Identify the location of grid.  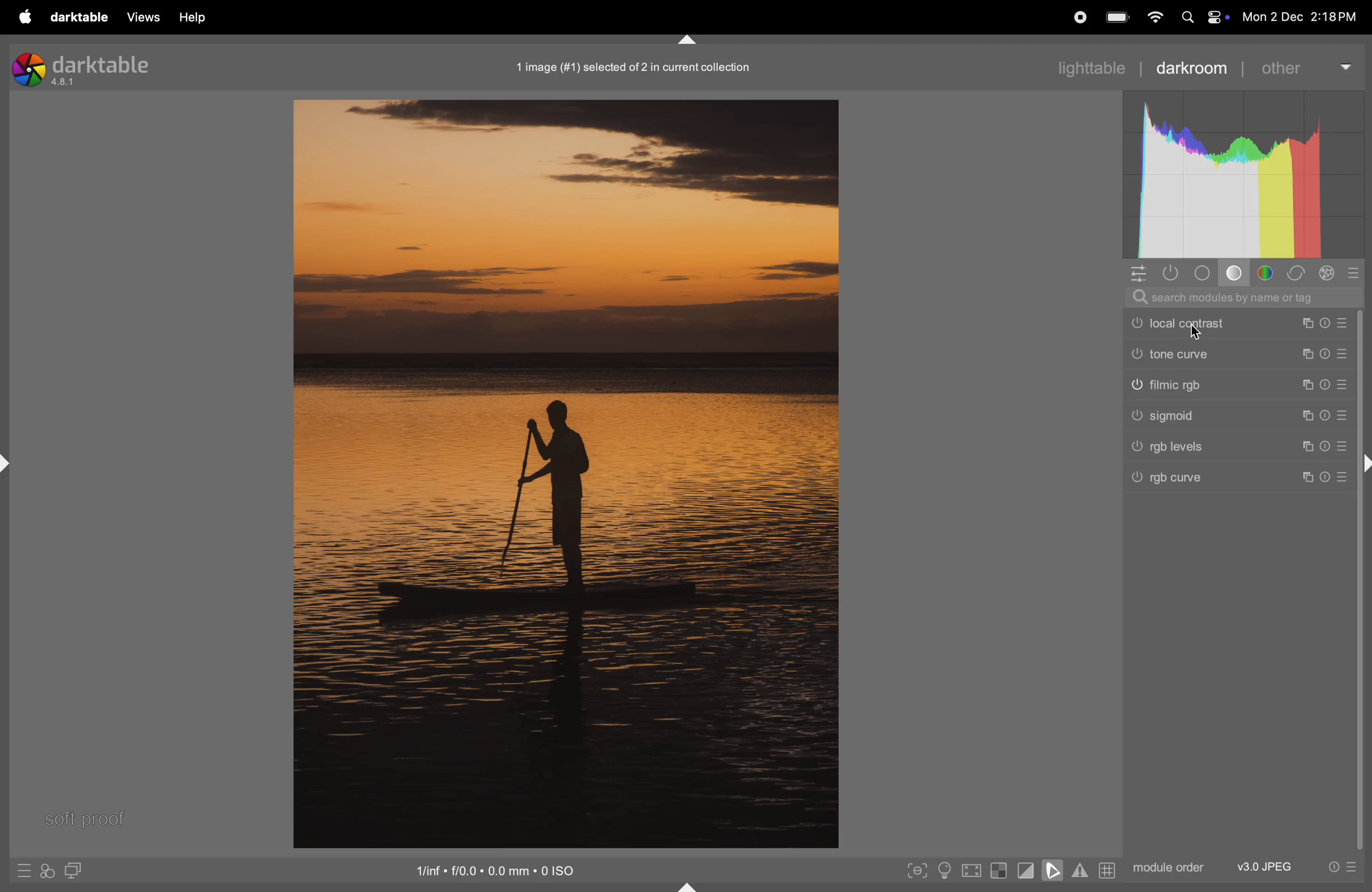
(1106, 869).